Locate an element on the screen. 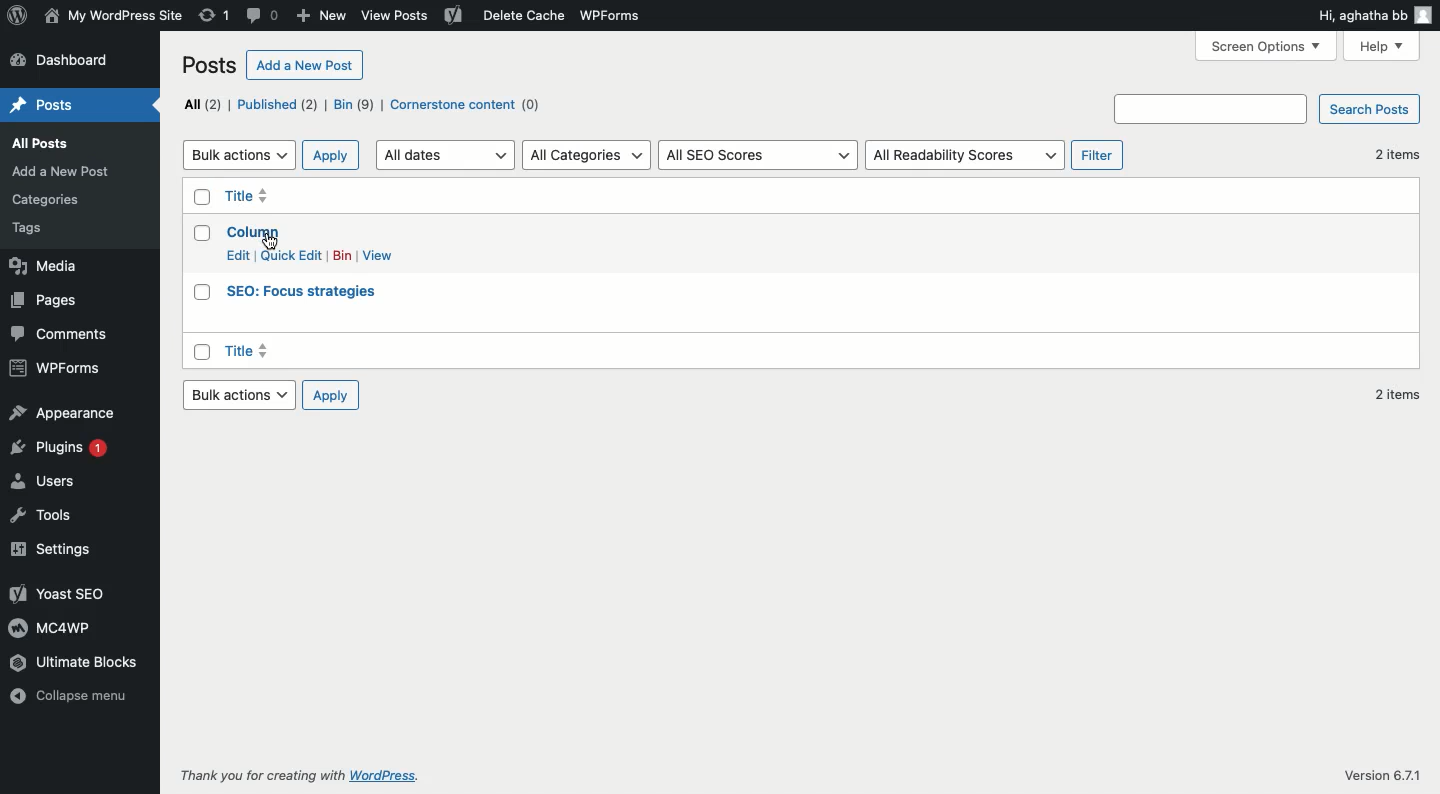 Image resolution: width=1440 pixels, height=794 pixels. Logo is located at coordinates (16, 16).